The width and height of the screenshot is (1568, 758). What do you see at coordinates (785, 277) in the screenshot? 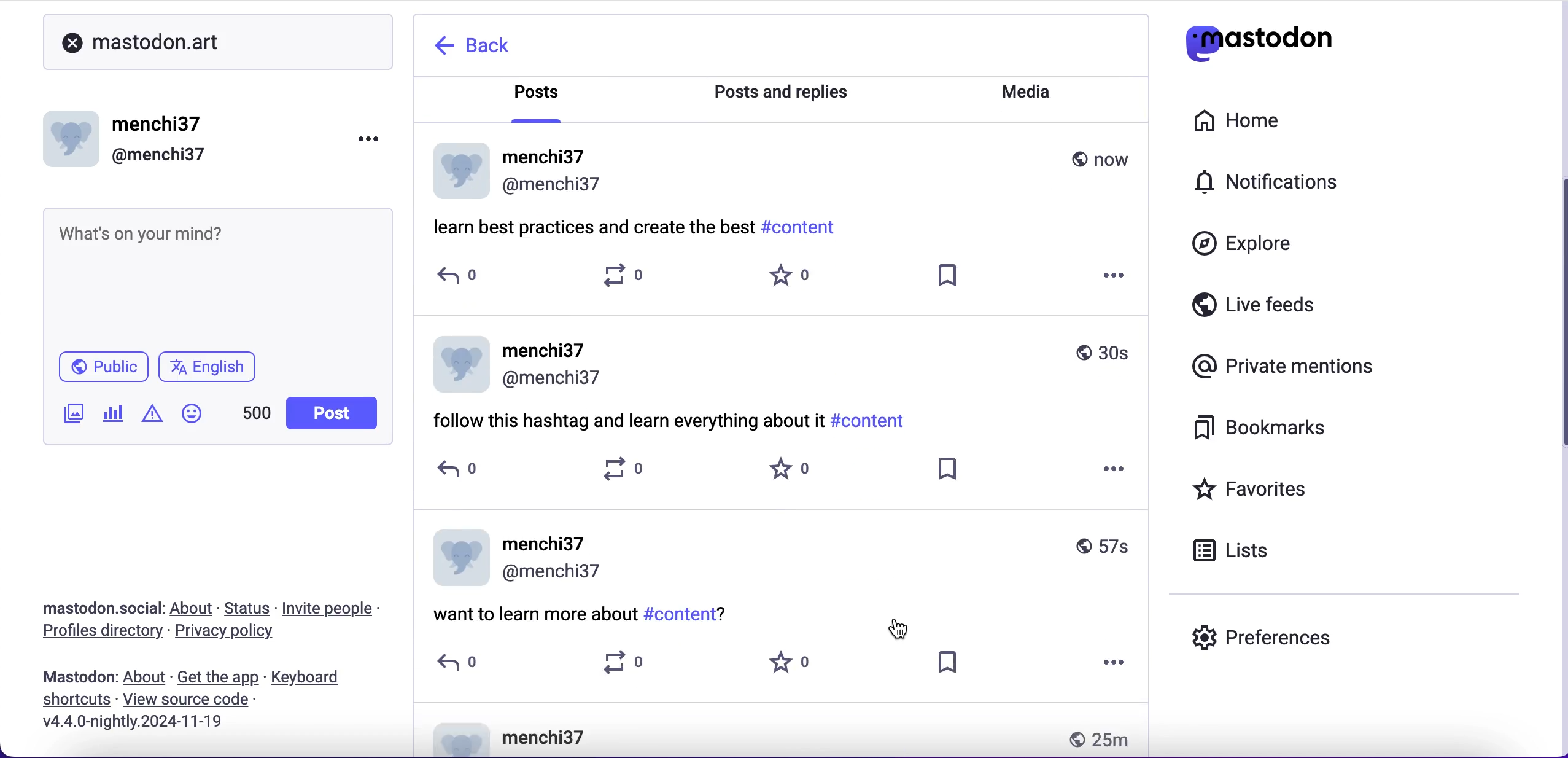
I see `0 favorites` at bounding box center [785, 277].